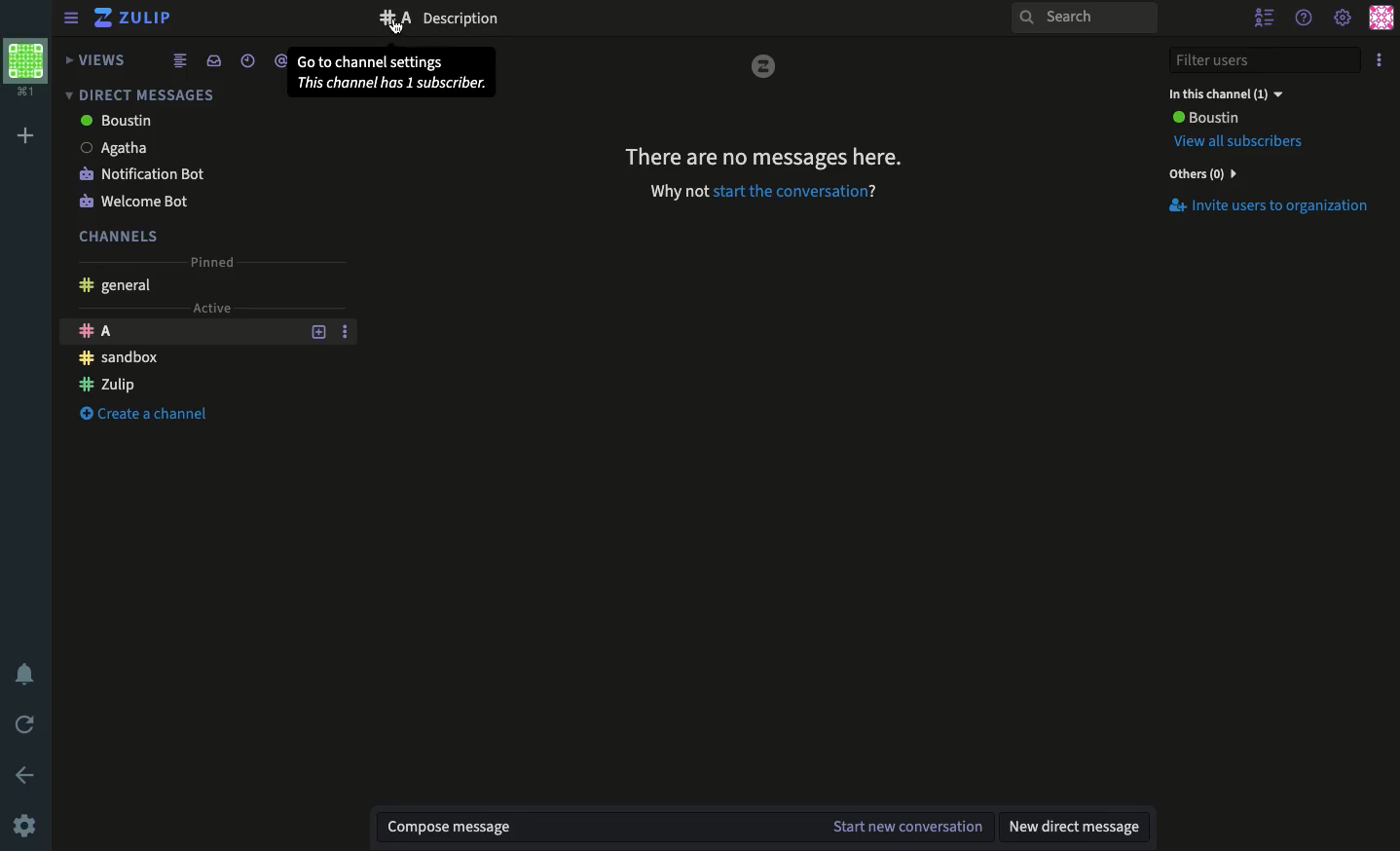  Describe the element at coordinates (144, 415) in the screenshot. I see `Create a channel` at that location.